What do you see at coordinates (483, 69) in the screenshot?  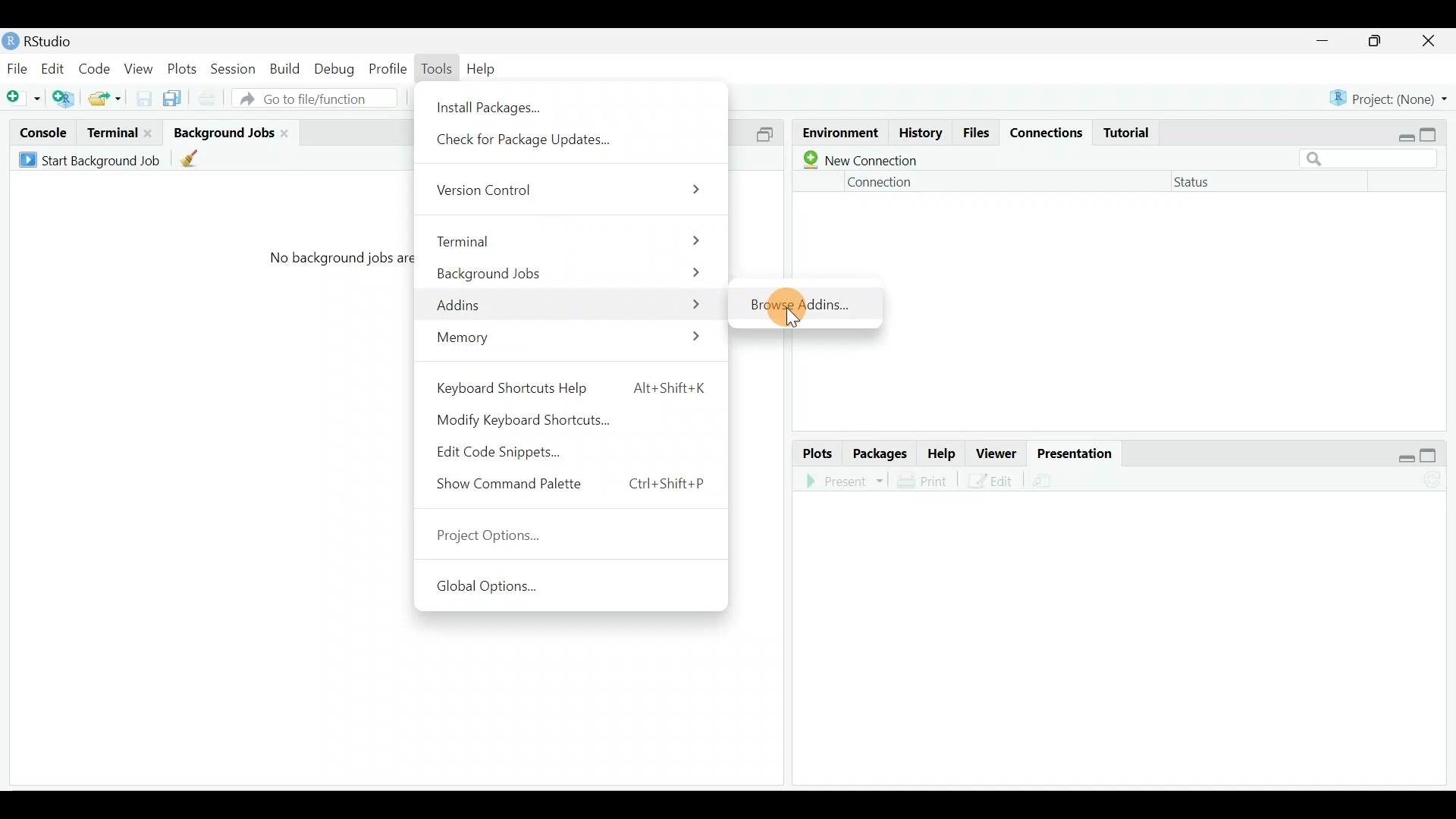 I see `Help` at bounding box center [483, 69].